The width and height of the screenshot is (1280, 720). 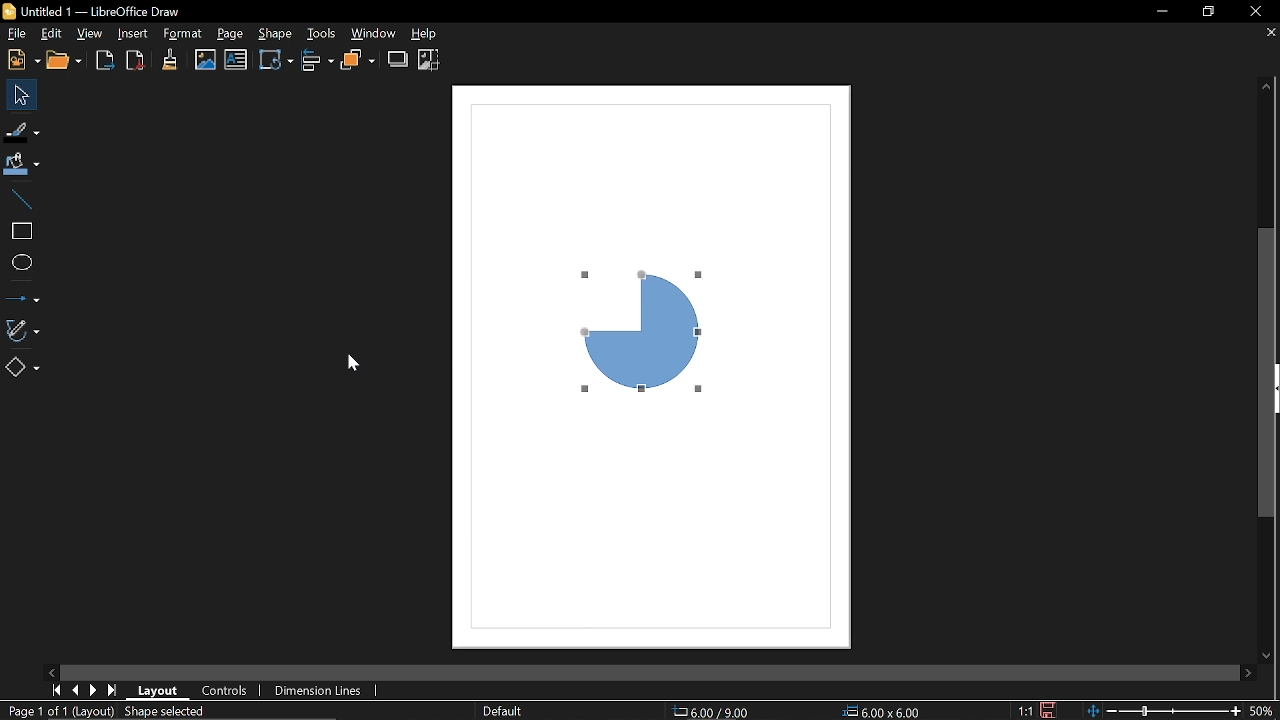 What do you see at coordinates (58, 690) in the screenshot?
I see `Go to first page` at bounding box center [58, 690].